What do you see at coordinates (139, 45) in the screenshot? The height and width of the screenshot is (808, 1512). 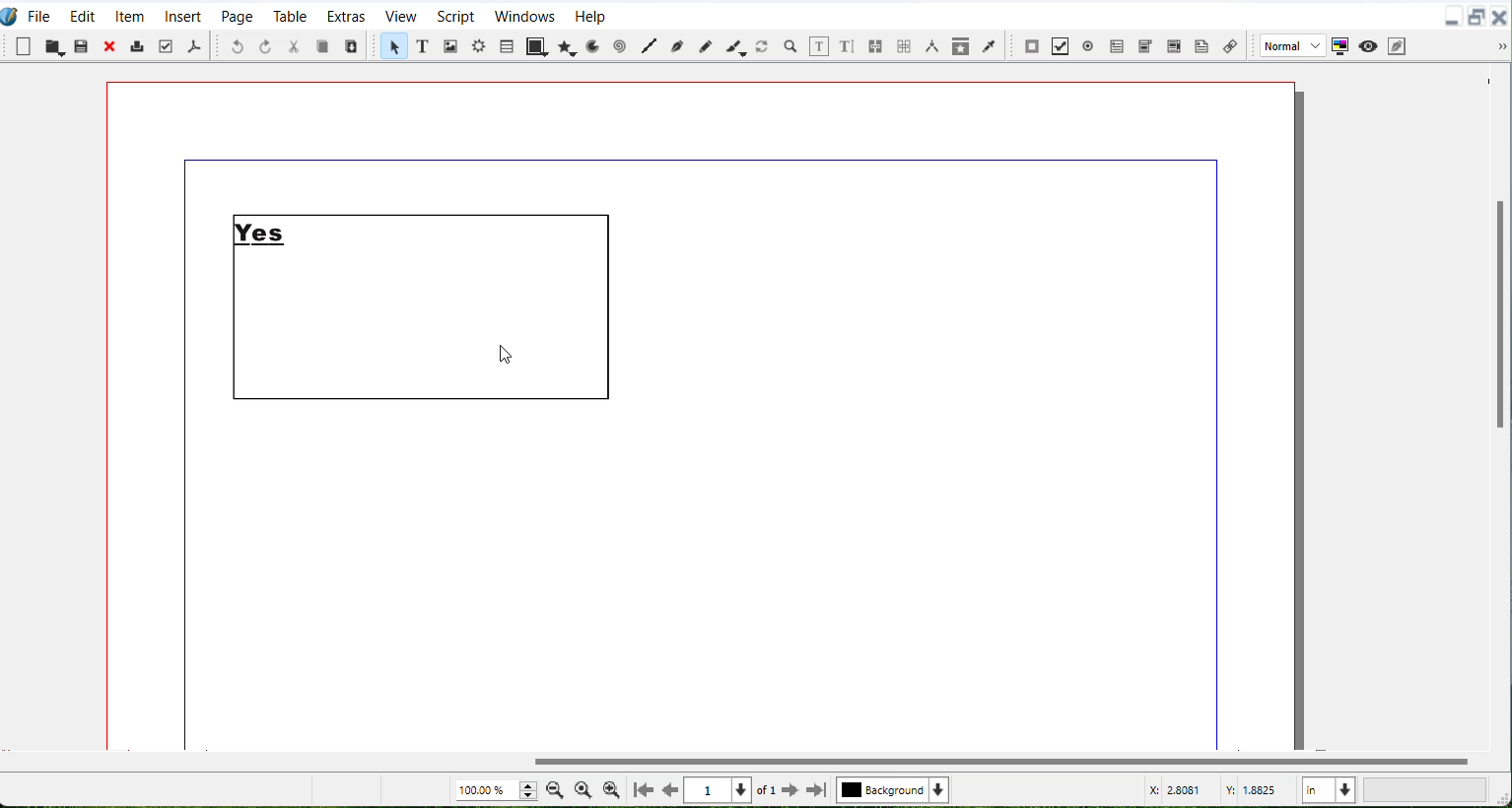 I see `Print` at bounding box center [139, 45].